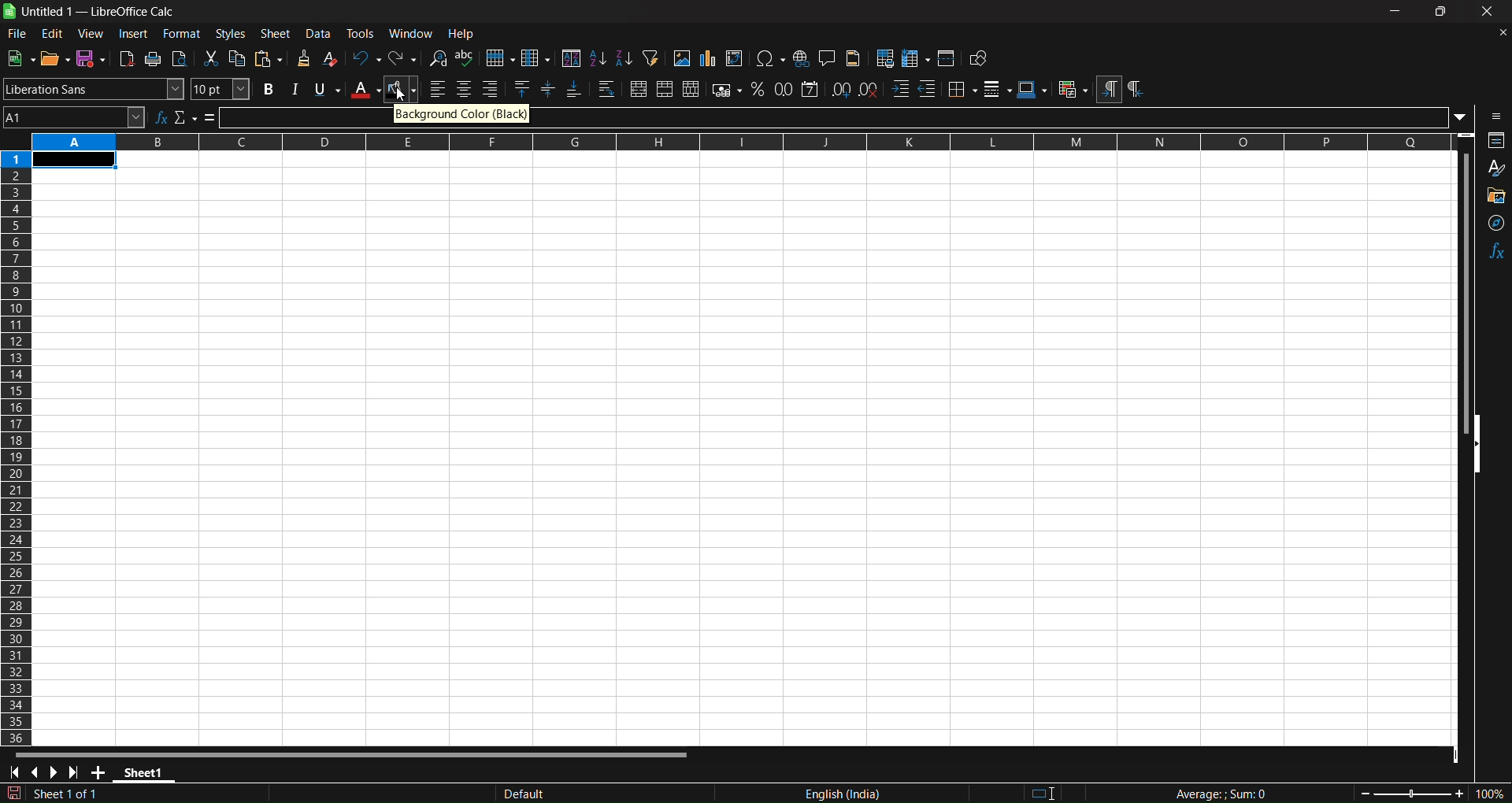 The height and width of the screenshot is (803, 1512). Describe the element at coordinates (36, 772) in the screenshot. I see `scroll to previous sheet` at that location.